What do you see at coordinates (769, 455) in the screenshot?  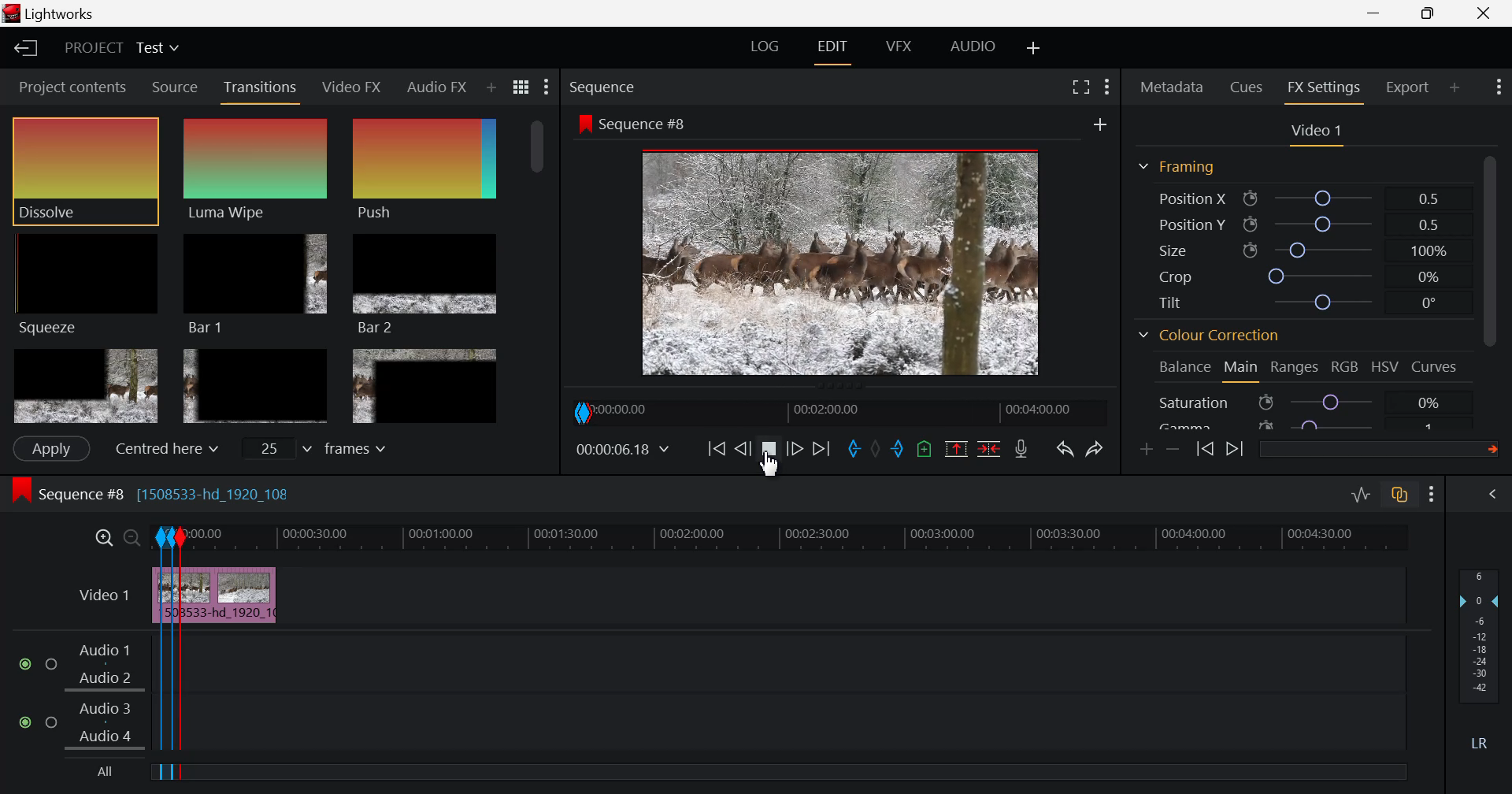 I see `Cursor on Stop` at bounding box center [769, 455].